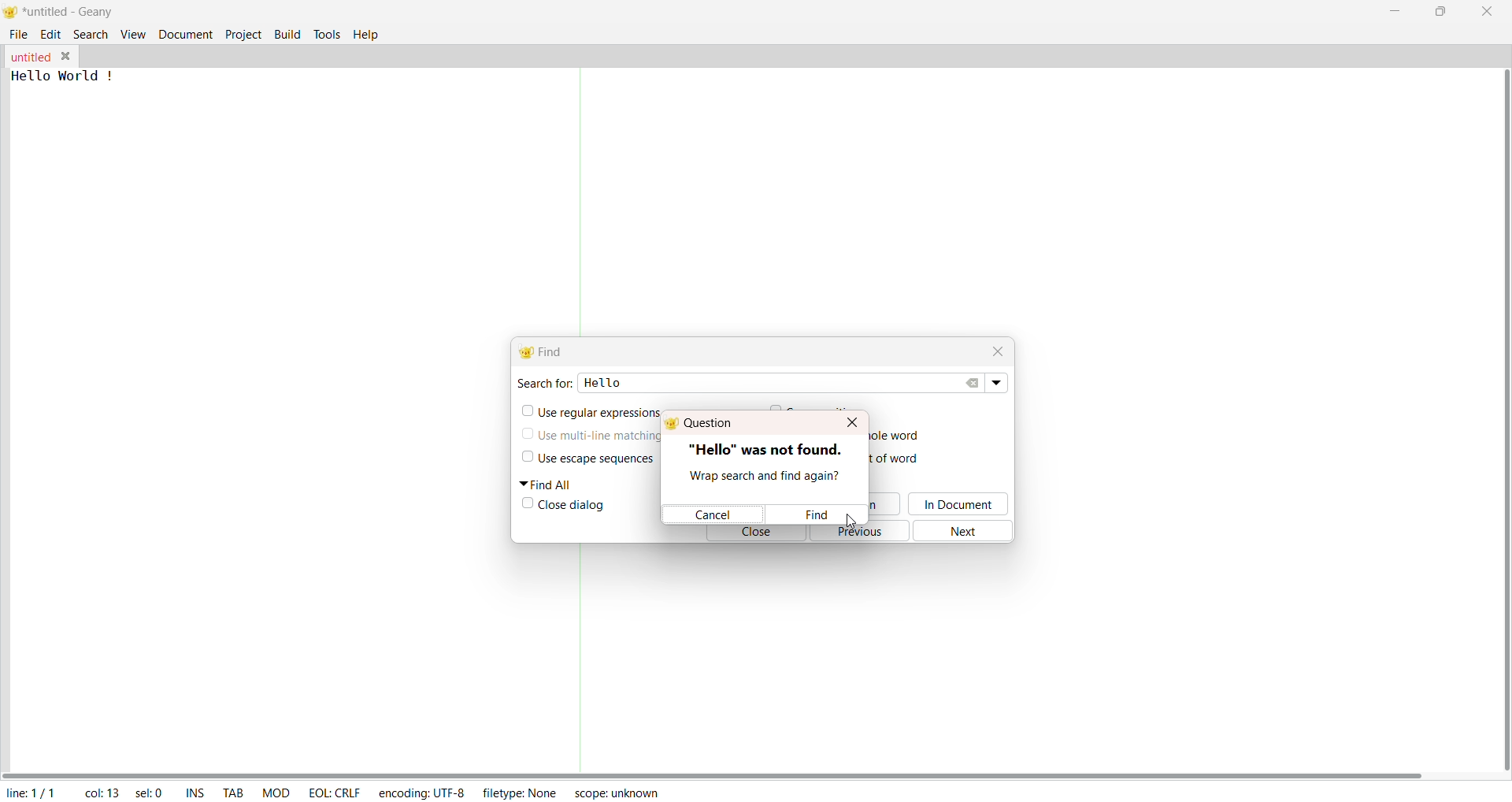 Image resolution: width=1512 pixels, height=802 pixels. Describe the element at coordinates (1440, 12) in the screenshot. I see `Maximize` at that location.